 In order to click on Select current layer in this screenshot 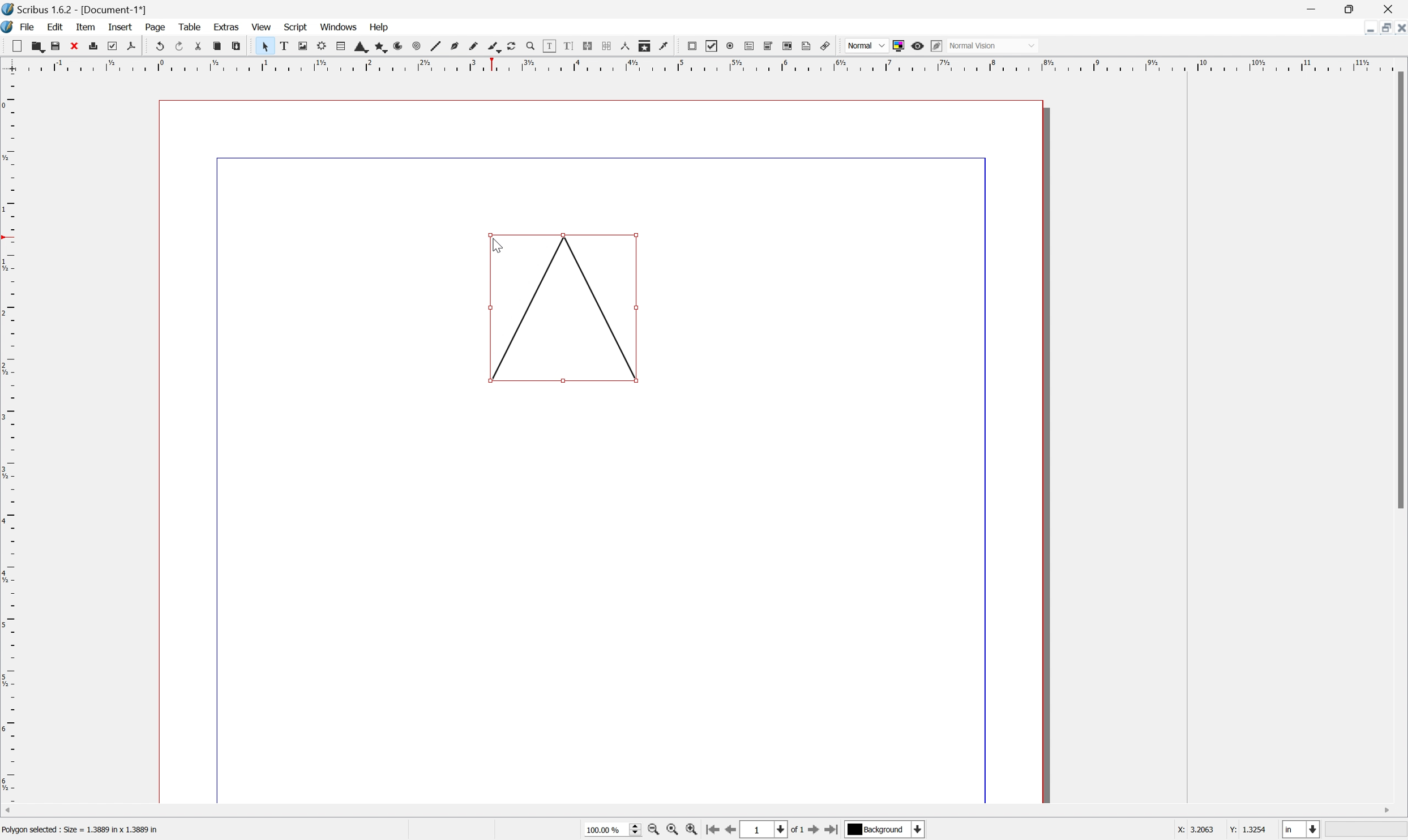, I will do `click(920, 830)`.